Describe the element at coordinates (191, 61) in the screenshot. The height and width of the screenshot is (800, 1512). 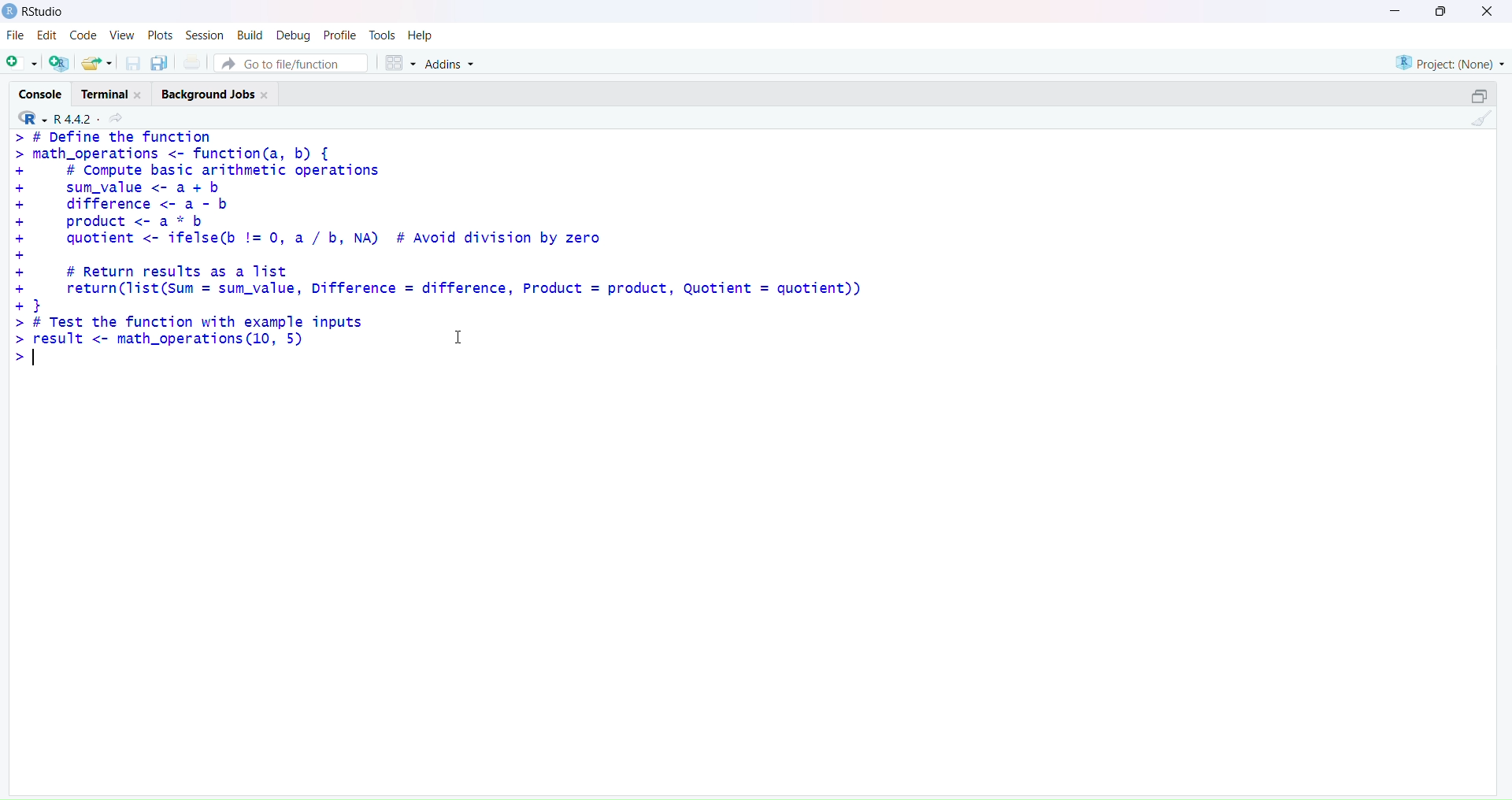
I see `Print the current file` at that location.